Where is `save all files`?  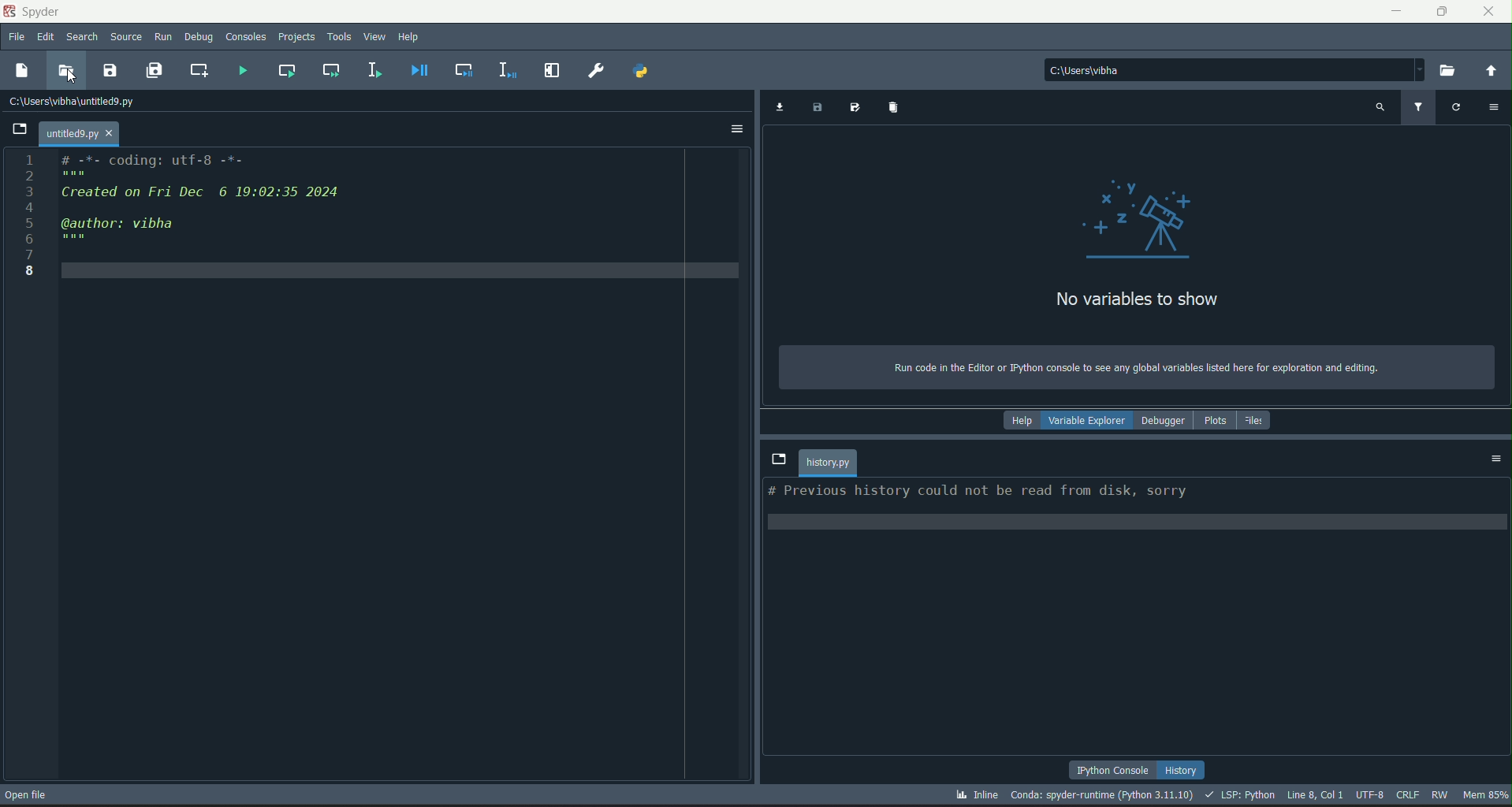 save all files is located at coordinates (153, 71).